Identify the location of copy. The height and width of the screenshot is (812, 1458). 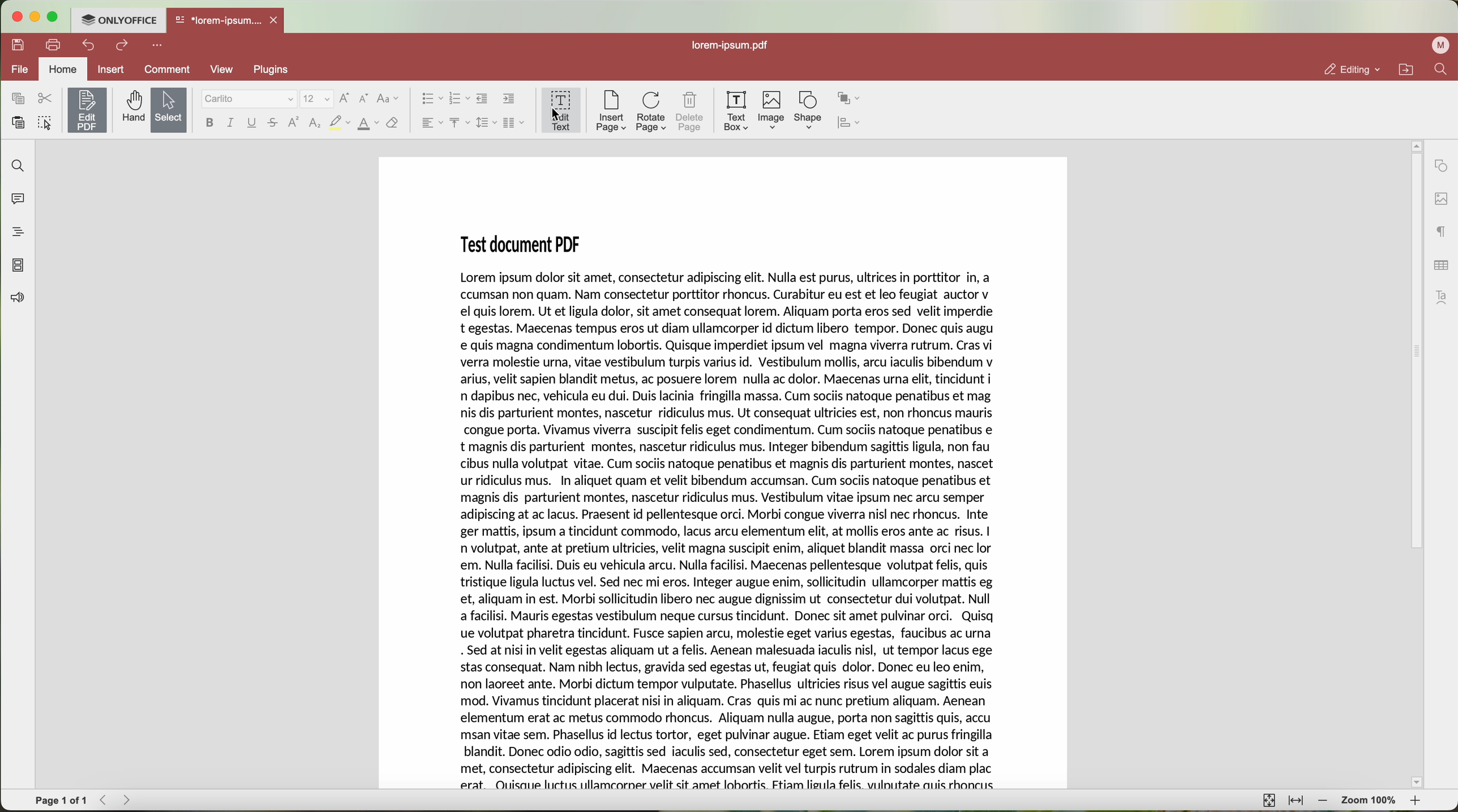
(18, 98).